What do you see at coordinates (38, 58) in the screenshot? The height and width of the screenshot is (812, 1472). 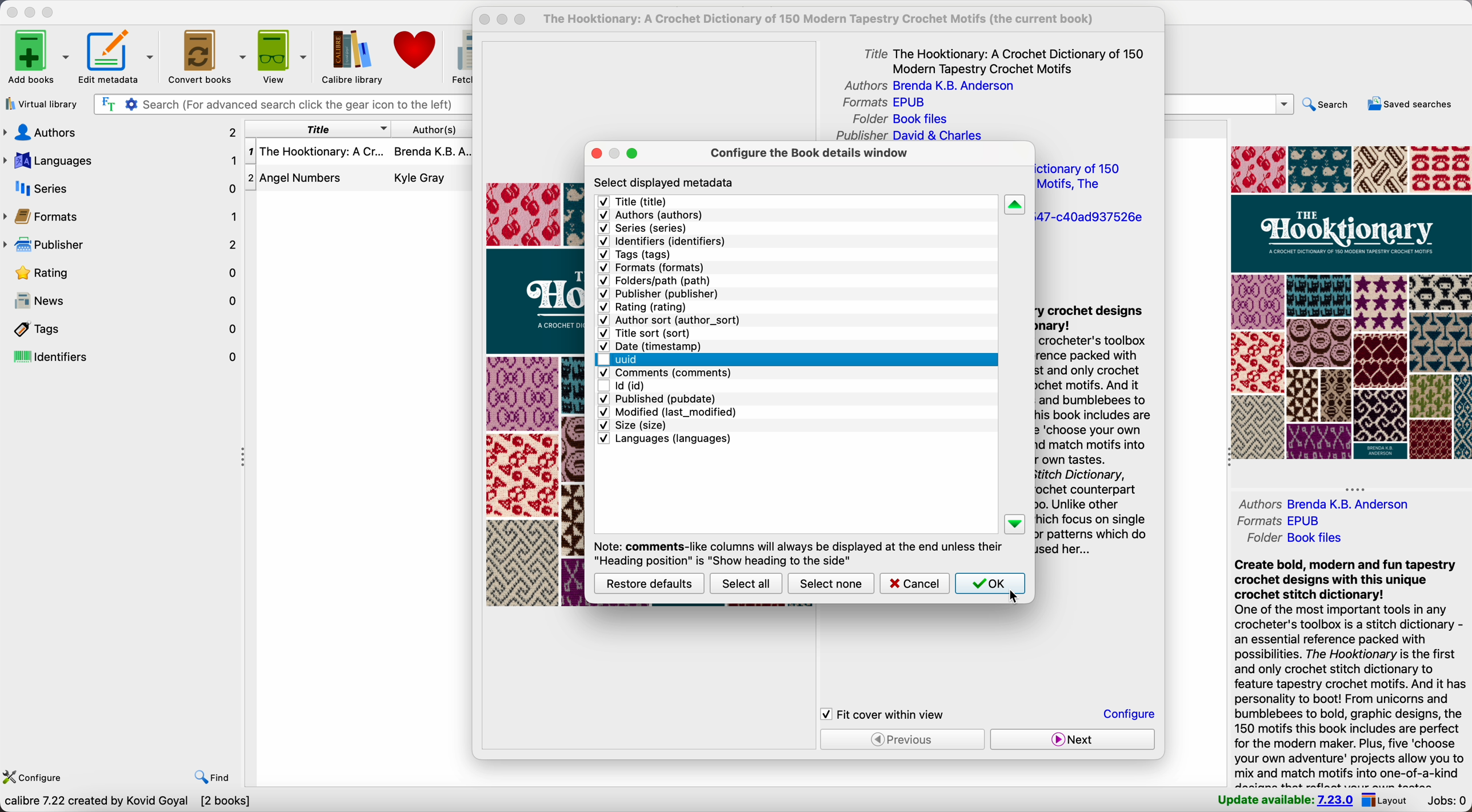 I see `add books` at bounding box center [38, 58].